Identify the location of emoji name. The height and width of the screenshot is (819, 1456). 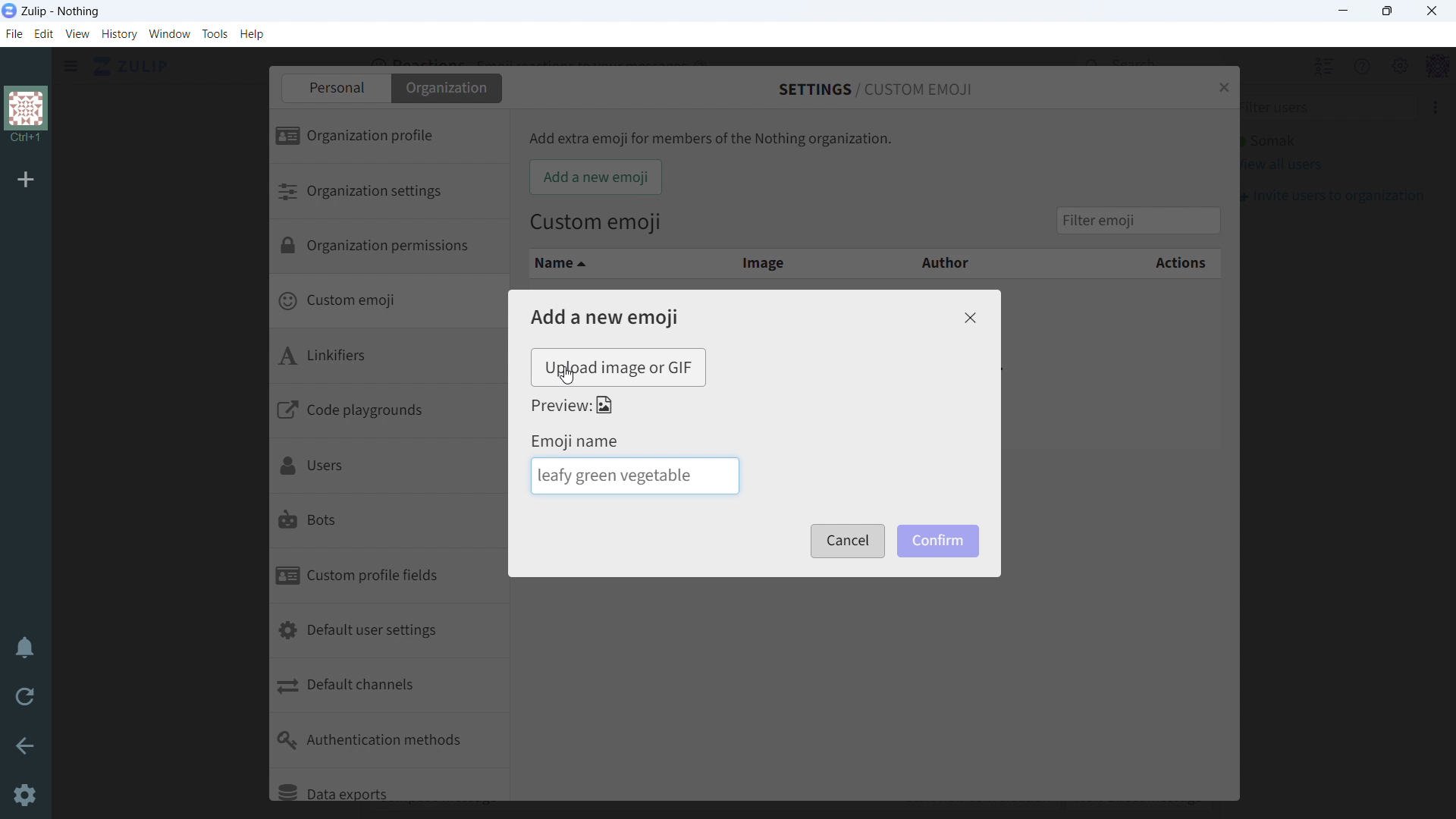
(575, 443).